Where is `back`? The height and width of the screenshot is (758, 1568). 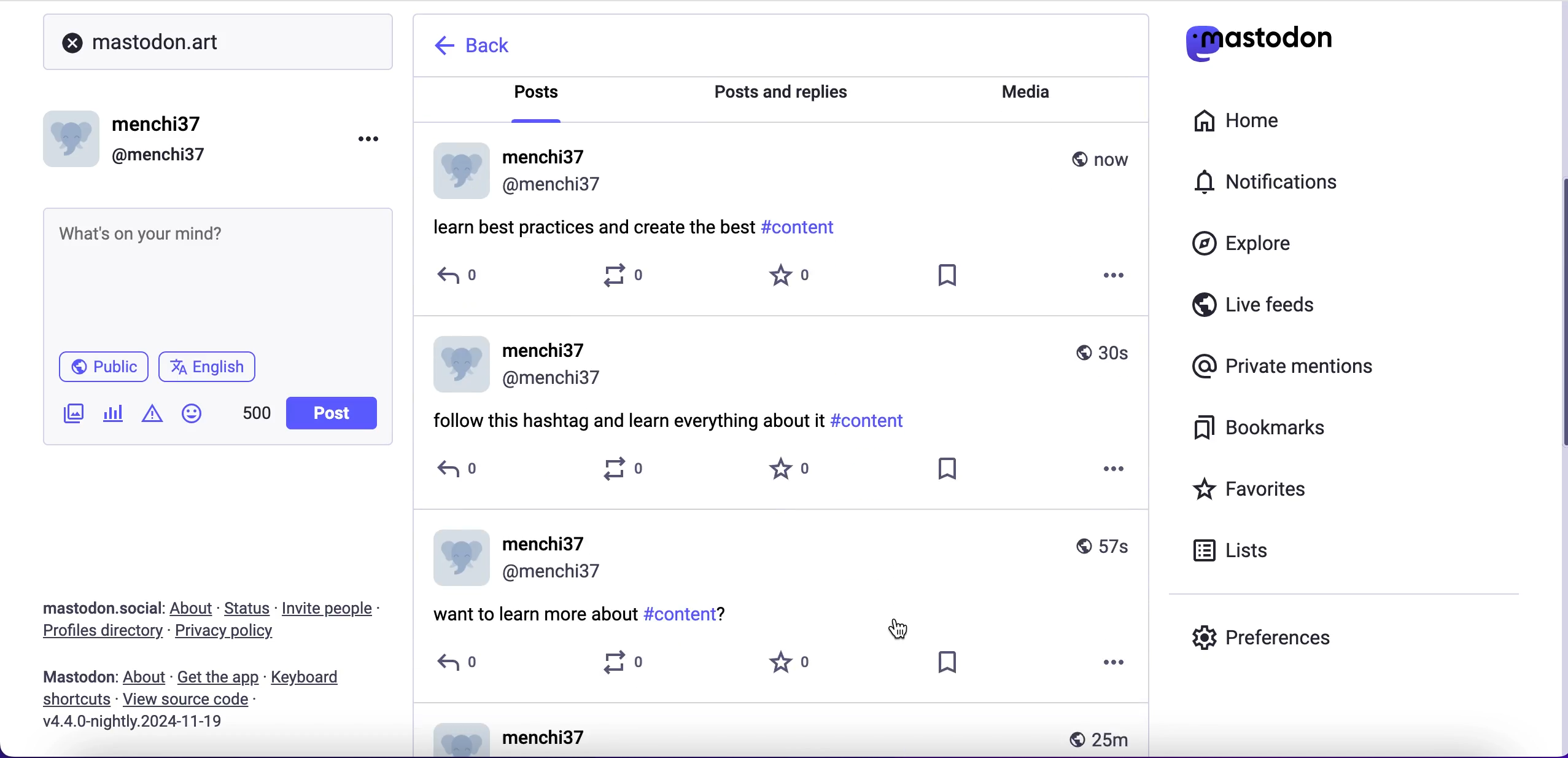
back is located at coordinates (437, 46).